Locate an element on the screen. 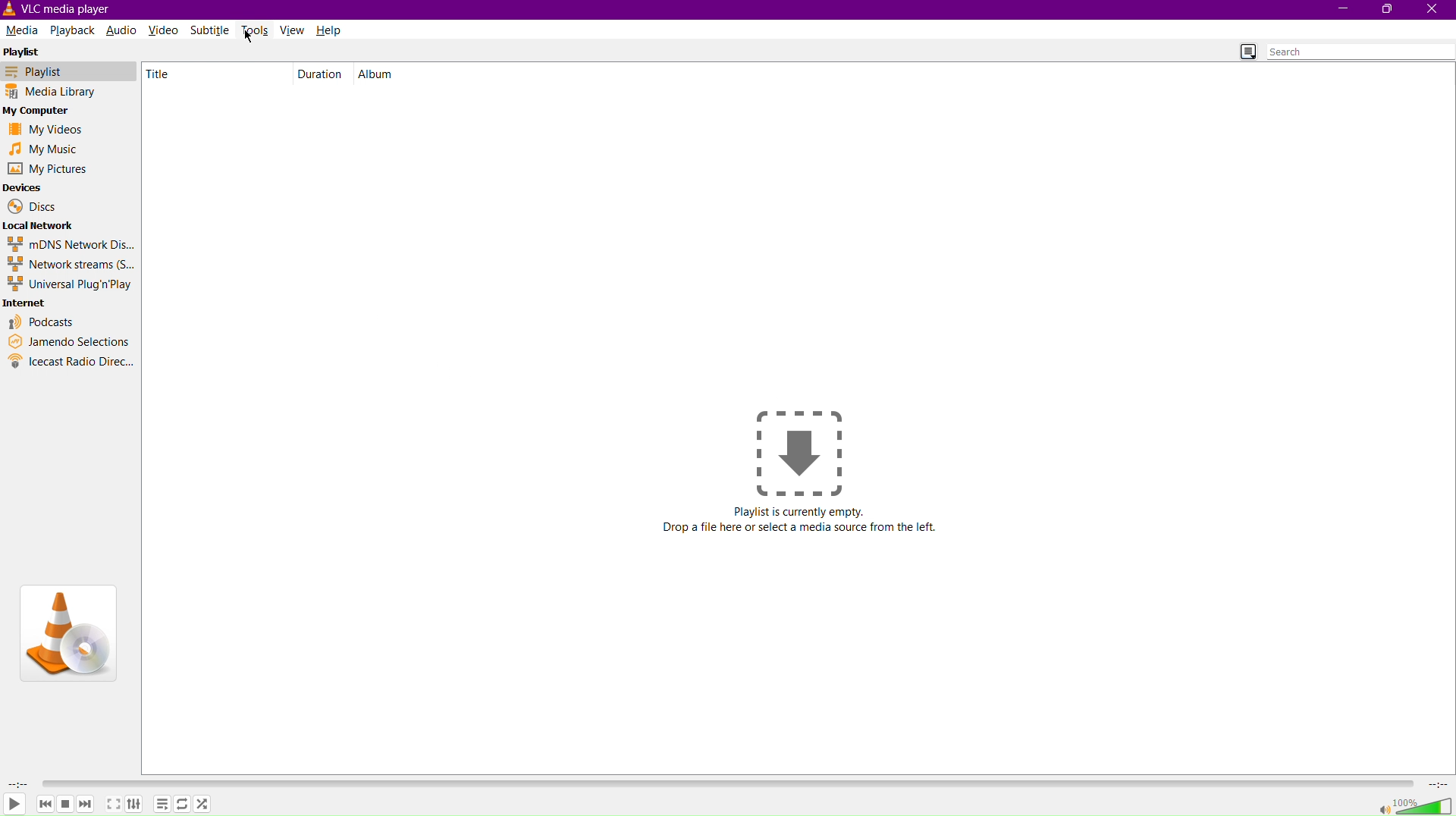  View is located at coordinates (293, 29).